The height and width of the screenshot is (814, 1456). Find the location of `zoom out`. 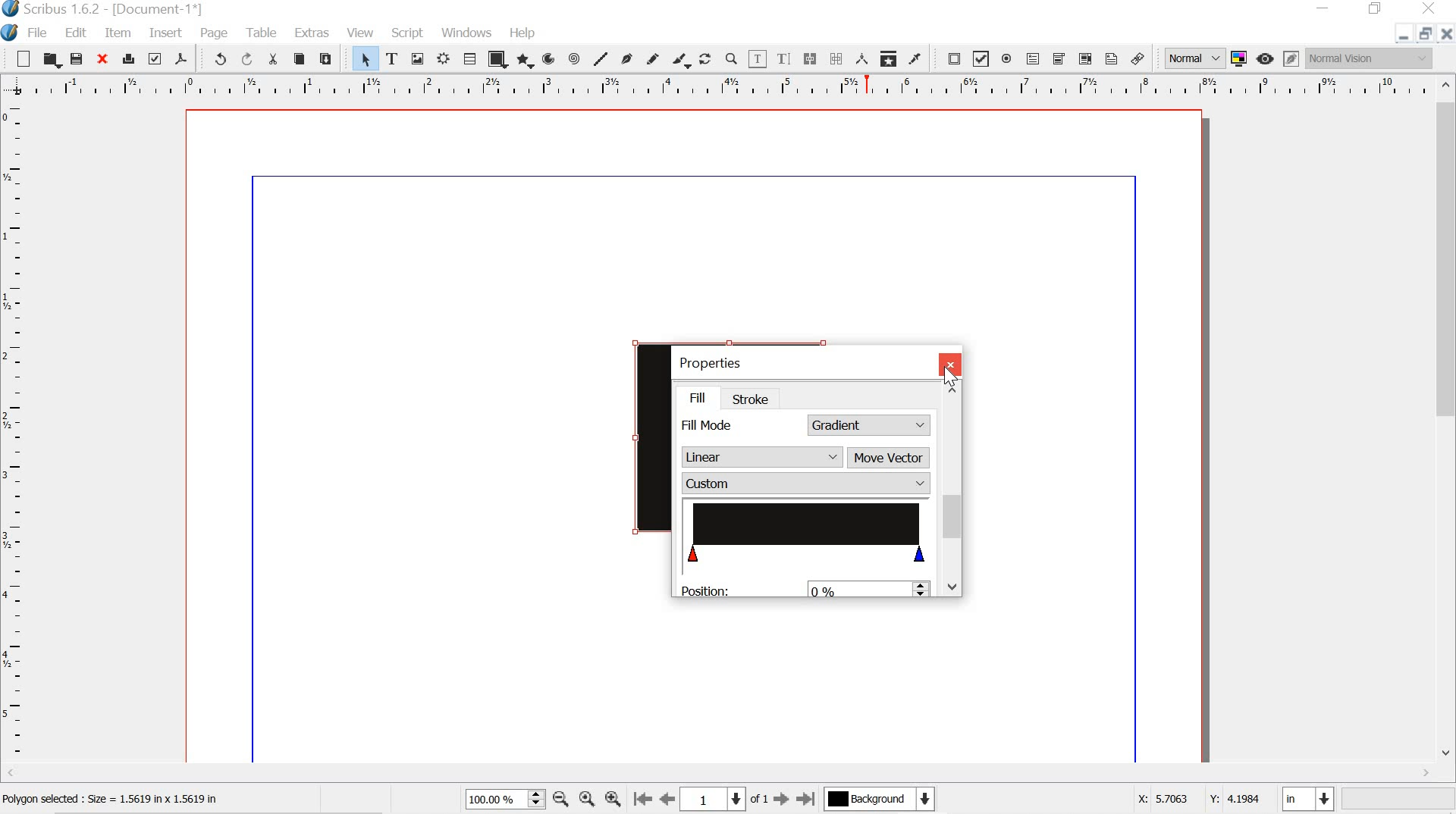

zoom out is located at coordinates (560, 798).